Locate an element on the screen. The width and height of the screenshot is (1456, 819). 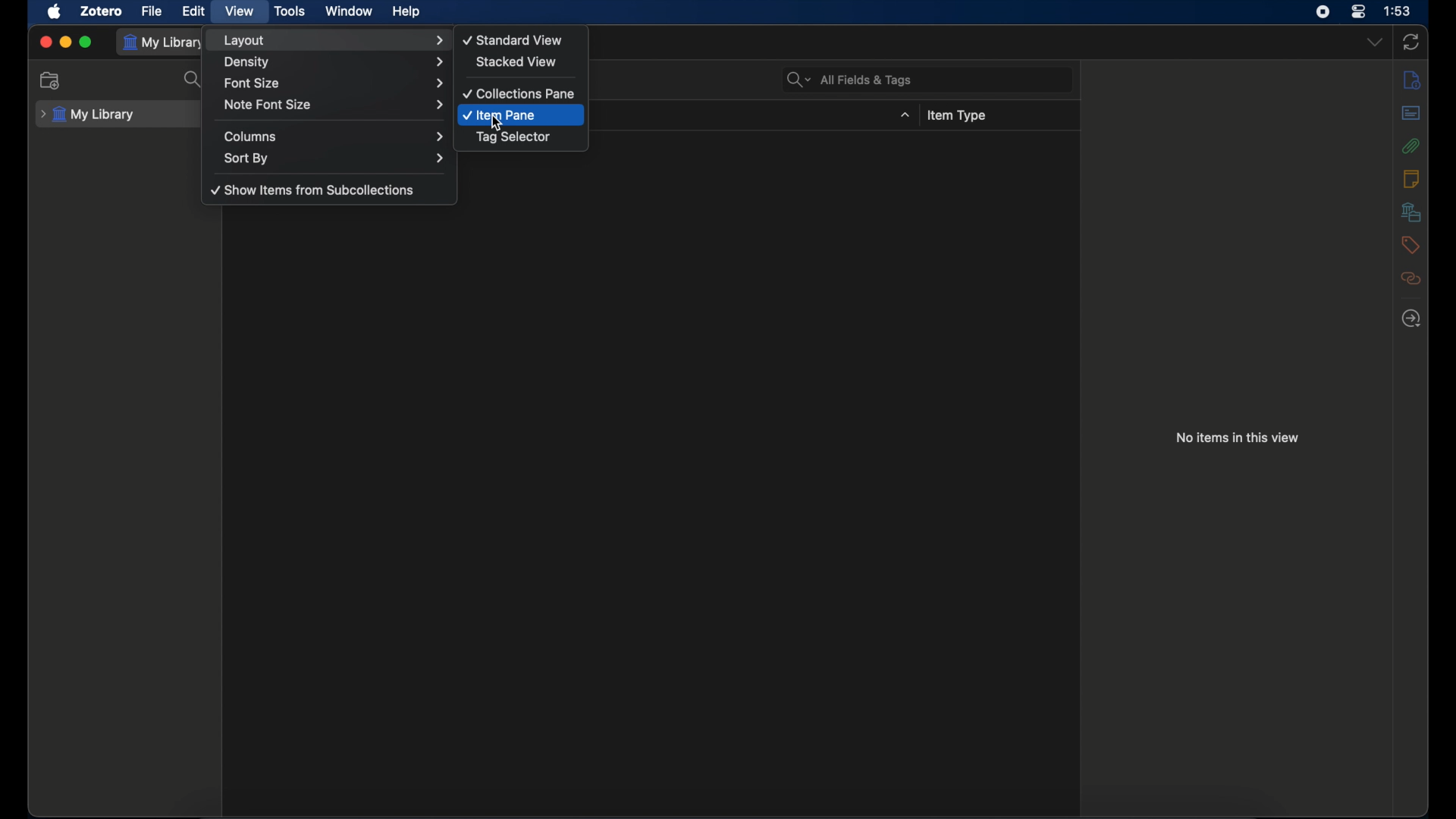
my library is located at coordinates (164, 43).